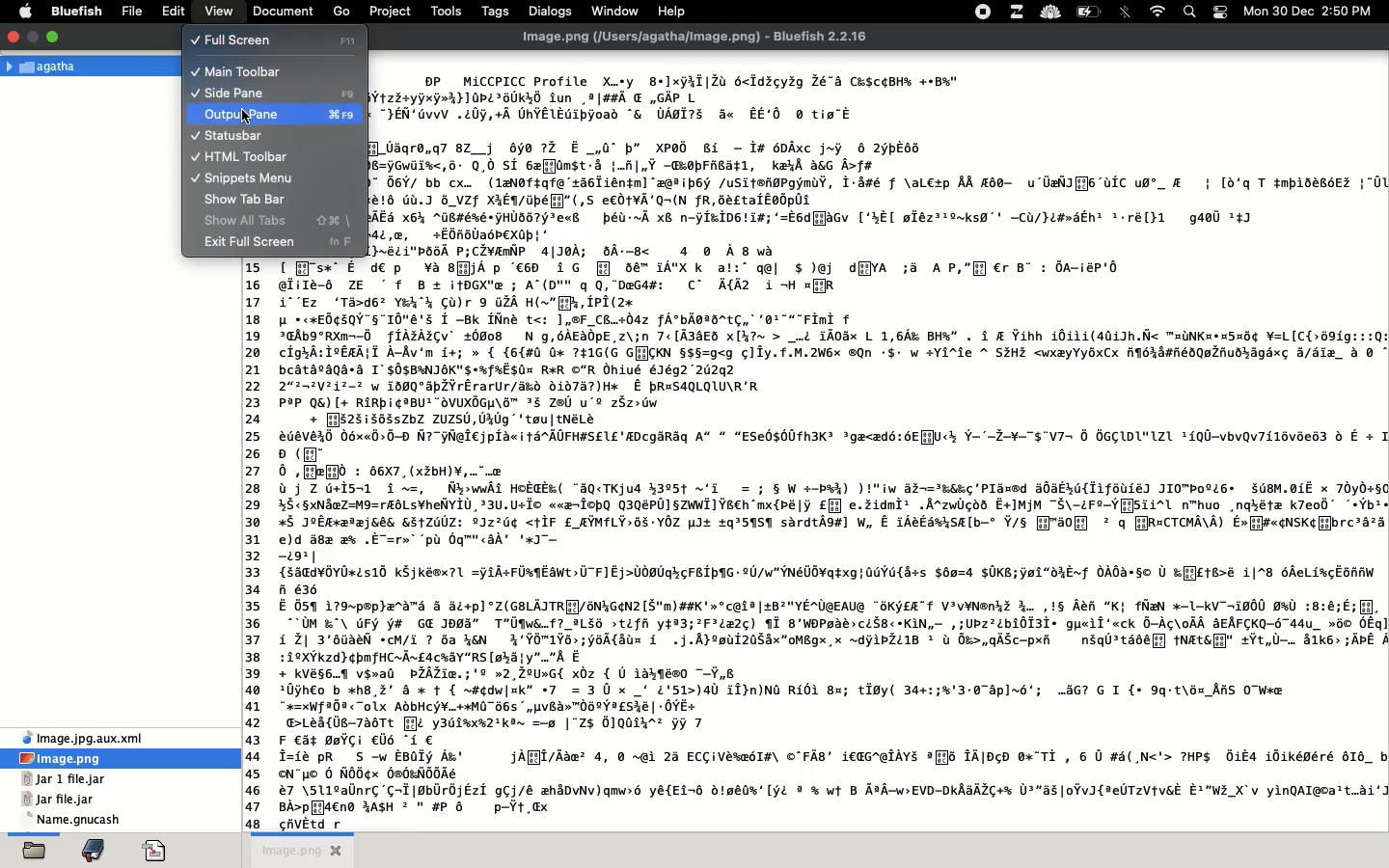 The height and width of the screenshot is (868, 1389). Describe the element at coordinates (673, 12) in the screenshot. I see `help` at that location.